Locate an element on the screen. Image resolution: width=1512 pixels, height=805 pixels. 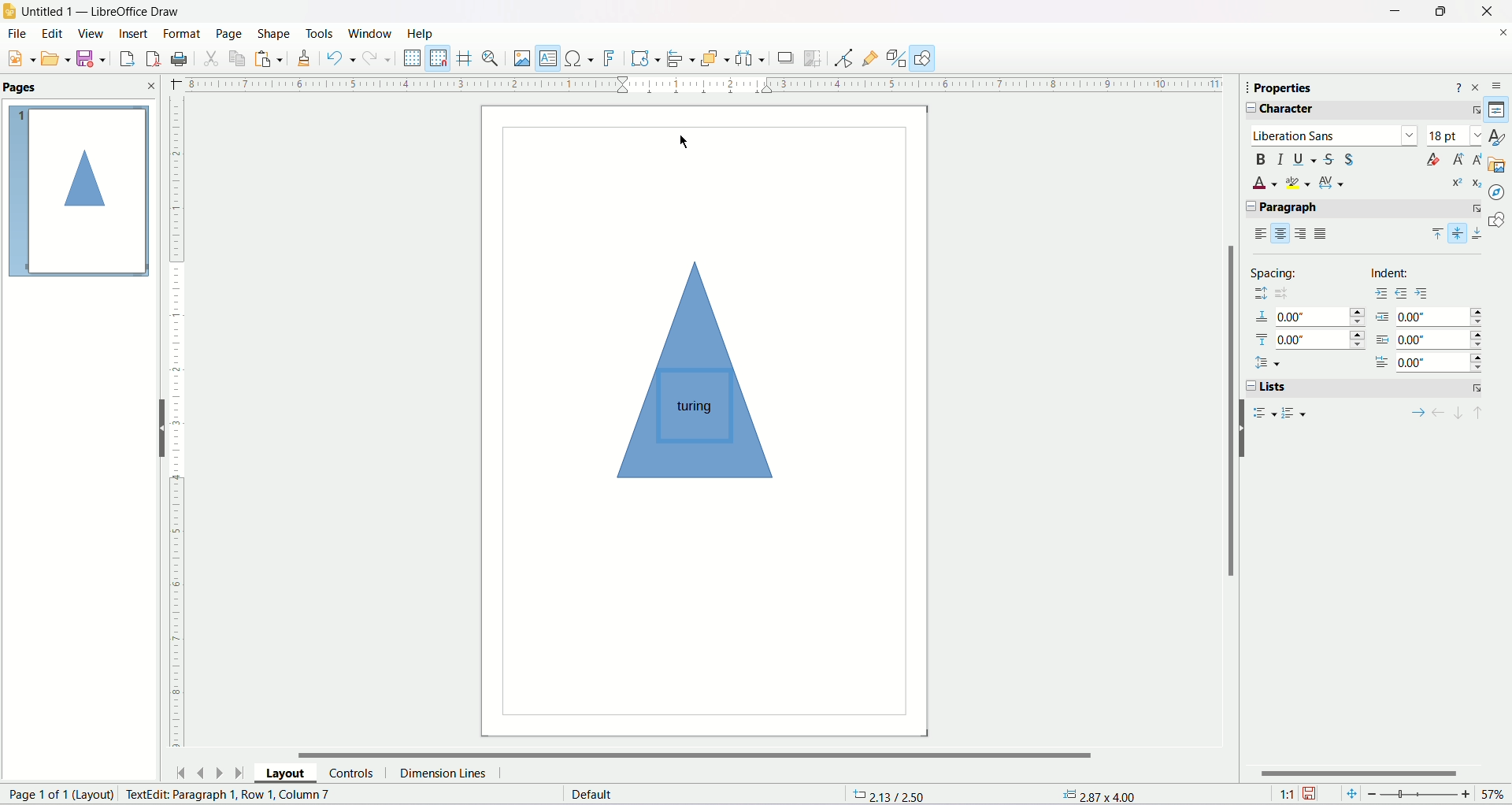
Layout is located at coordinates (285, 773).